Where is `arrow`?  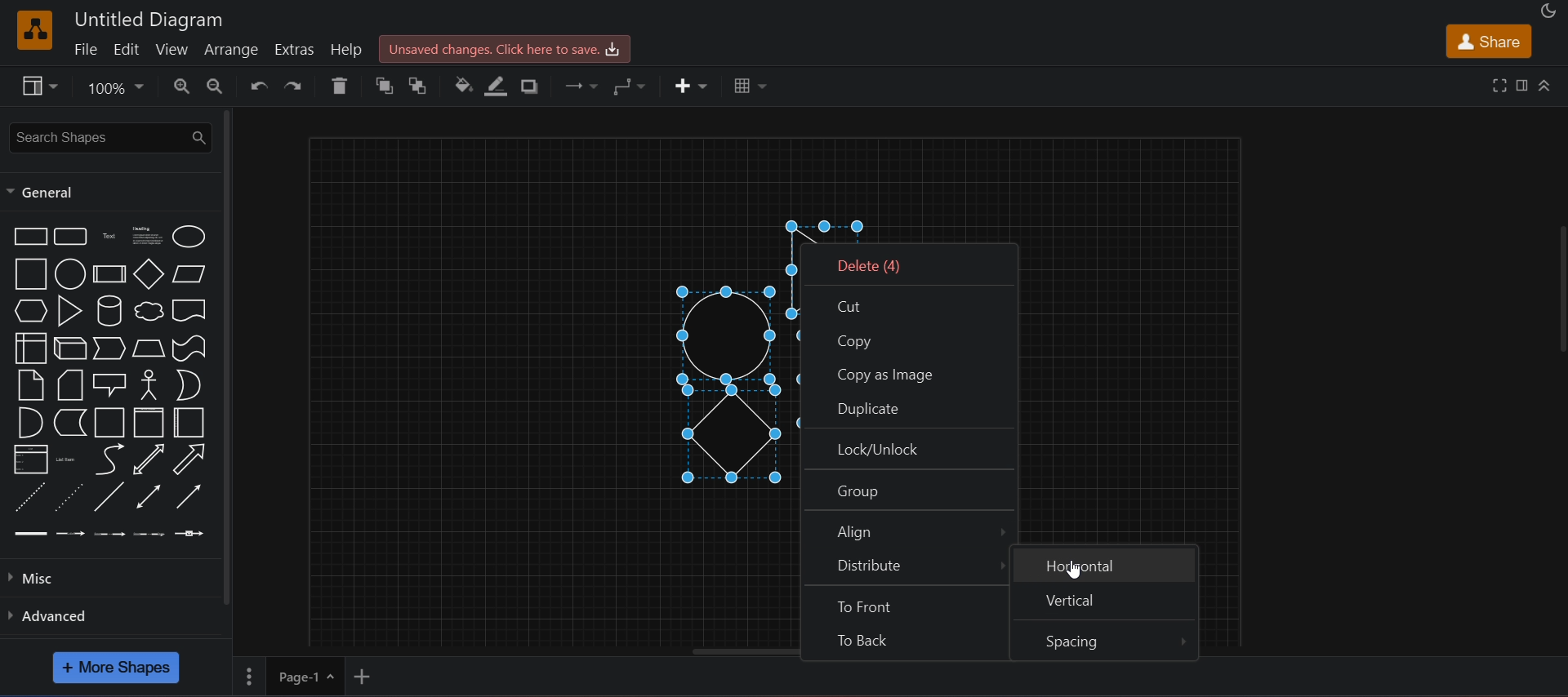 arrow is located at coordinates (110, 459).